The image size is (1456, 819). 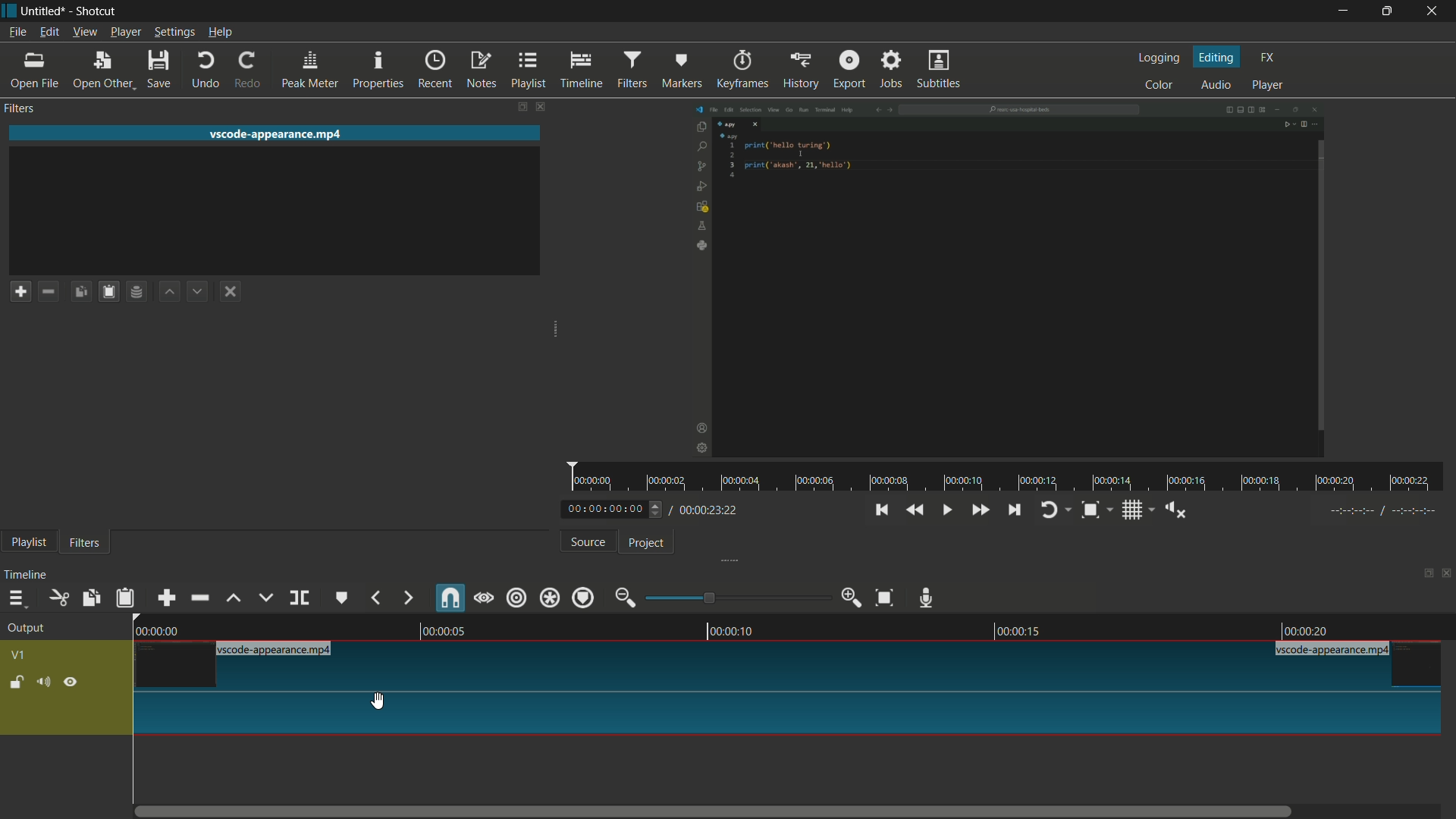 I want to click on Bl <code-appearance mp4 [8, so click(x=278, y=650).